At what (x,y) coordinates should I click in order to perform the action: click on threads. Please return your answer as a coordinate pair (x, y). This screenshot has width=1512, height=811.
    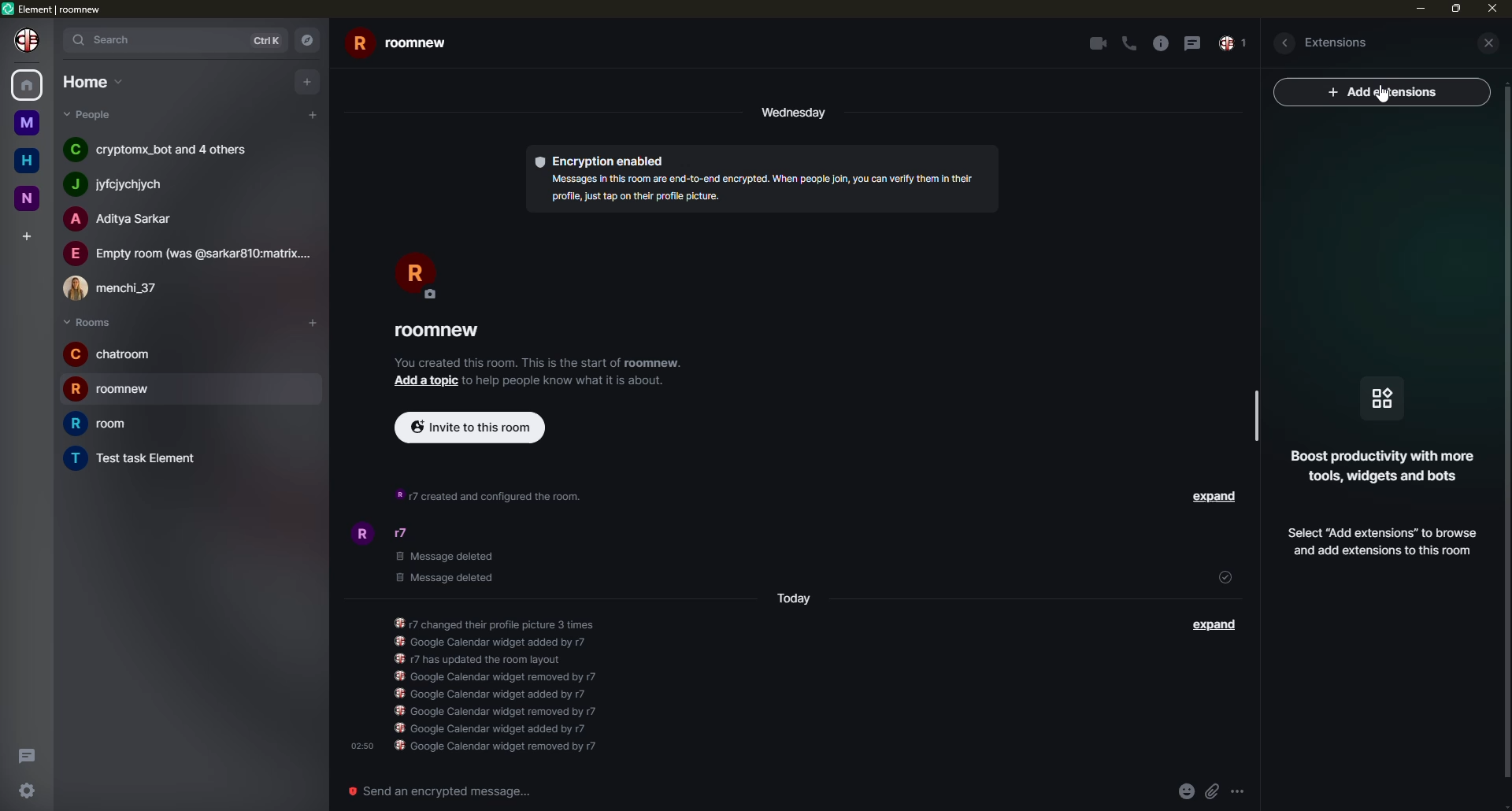
    Looking at the image, I should click on (25, 753).